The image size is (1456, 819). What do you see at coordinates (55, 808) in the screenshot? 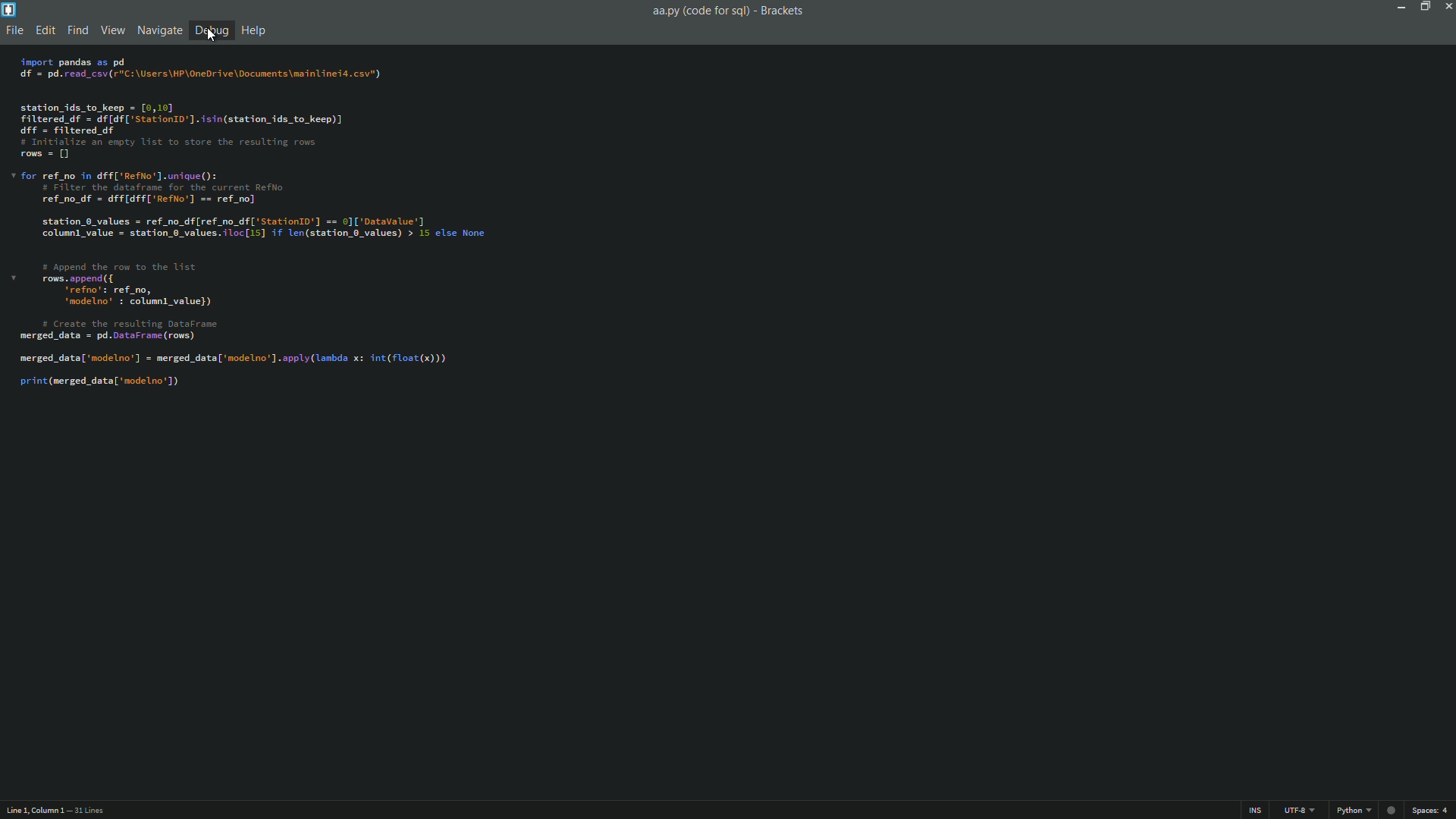
I see `Line 1, Column 1 — 31 Lines.` at bounding box center [55, 808].